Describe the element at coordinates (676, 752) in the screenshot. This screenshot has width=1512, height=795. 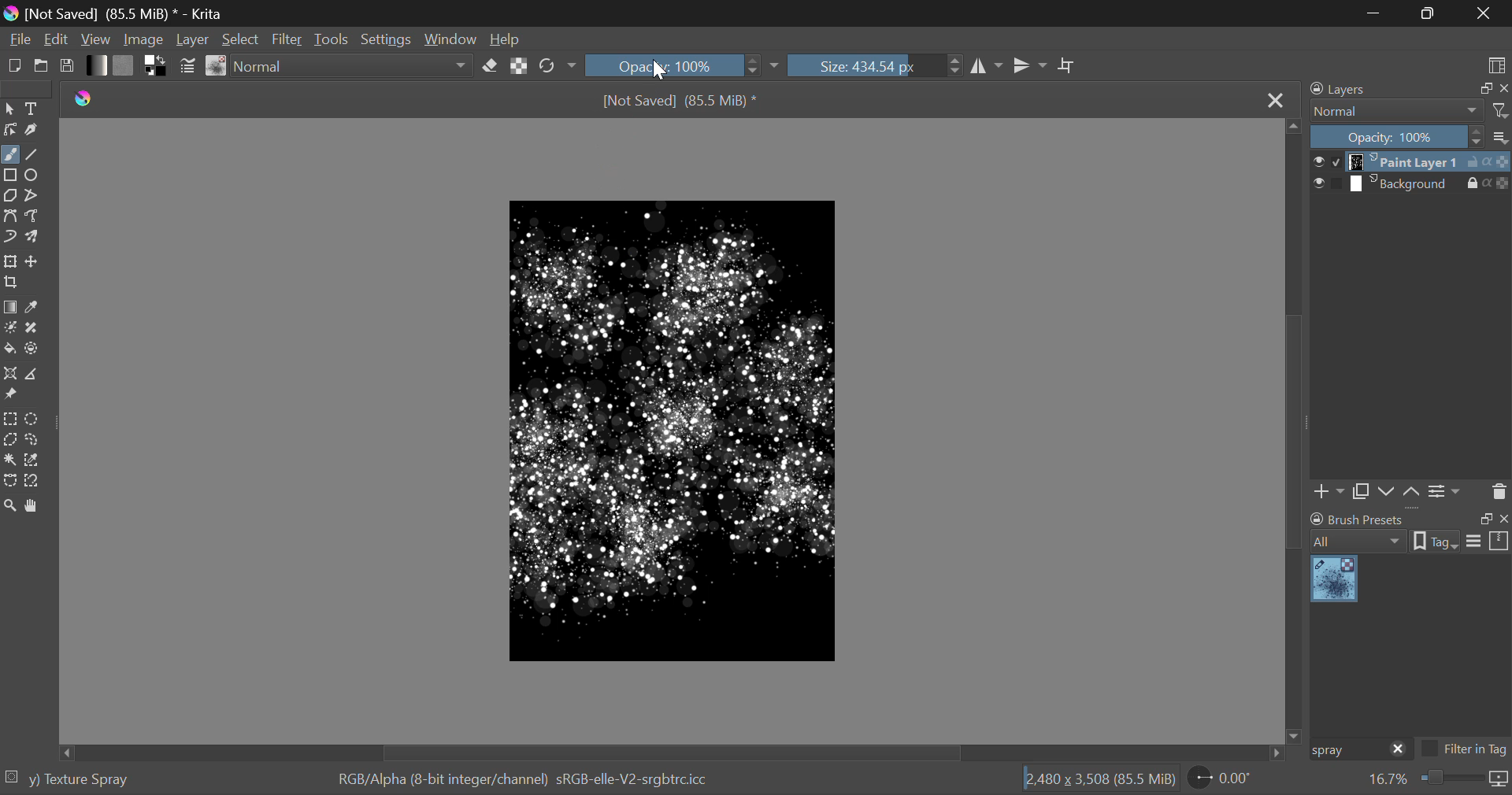
I see `Scroll Bar` at that location.